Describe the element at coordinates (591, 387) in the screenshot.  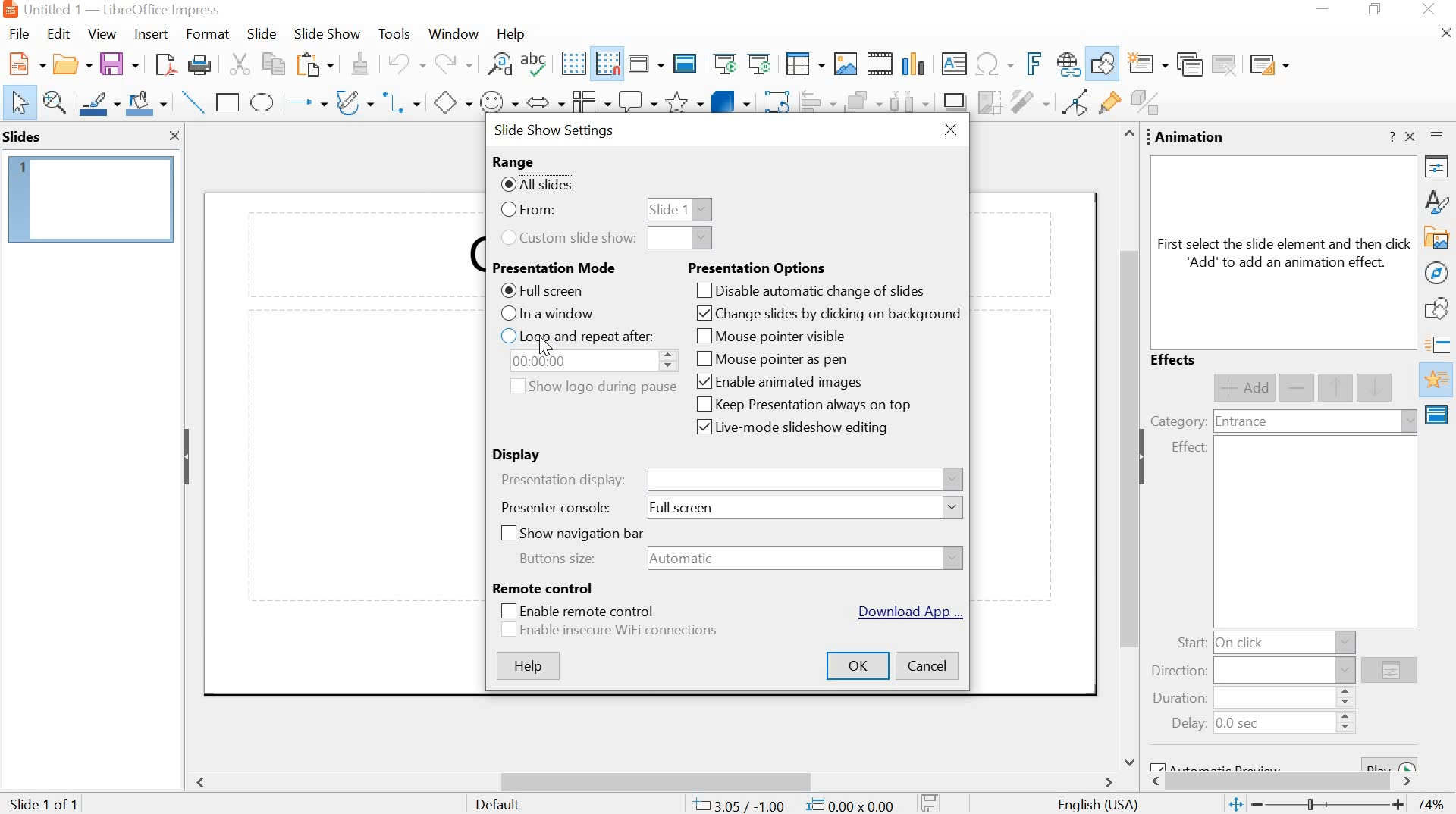
I see `show logo during pause` at that location.